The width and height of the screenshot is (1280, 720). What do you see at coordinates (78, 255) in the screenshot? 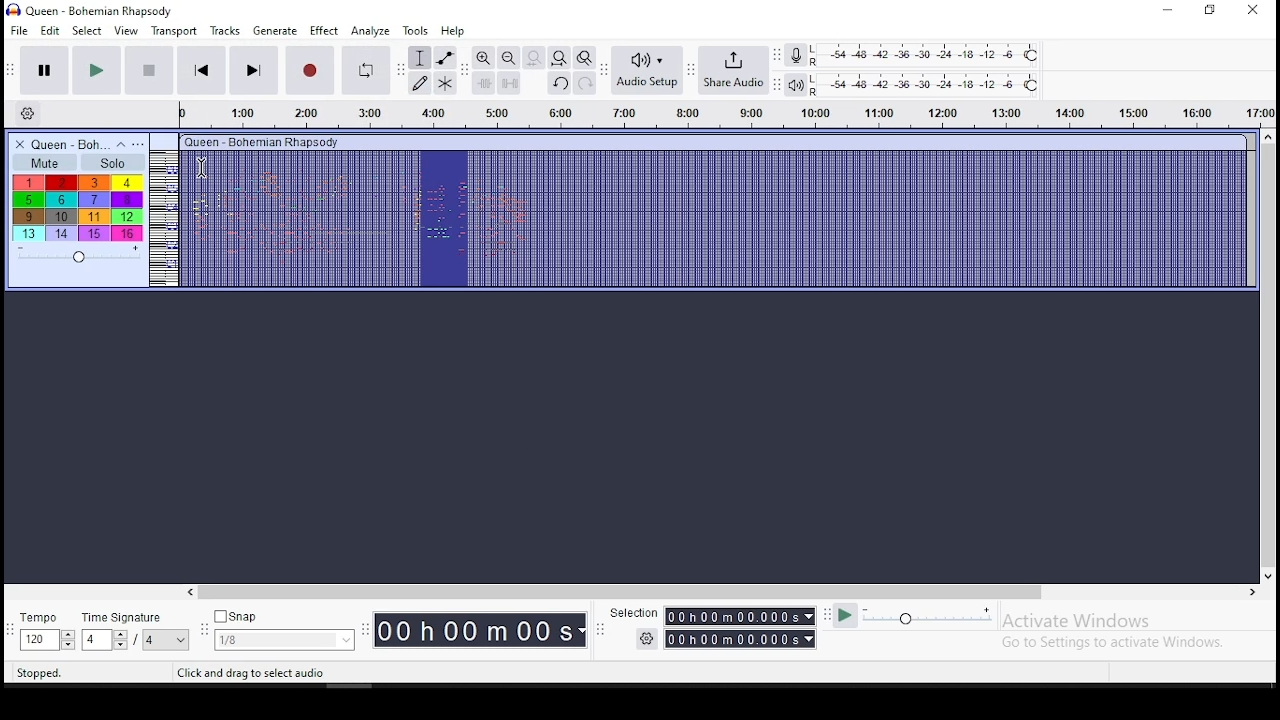
I see `velocity` at bounding box center [78, 255].